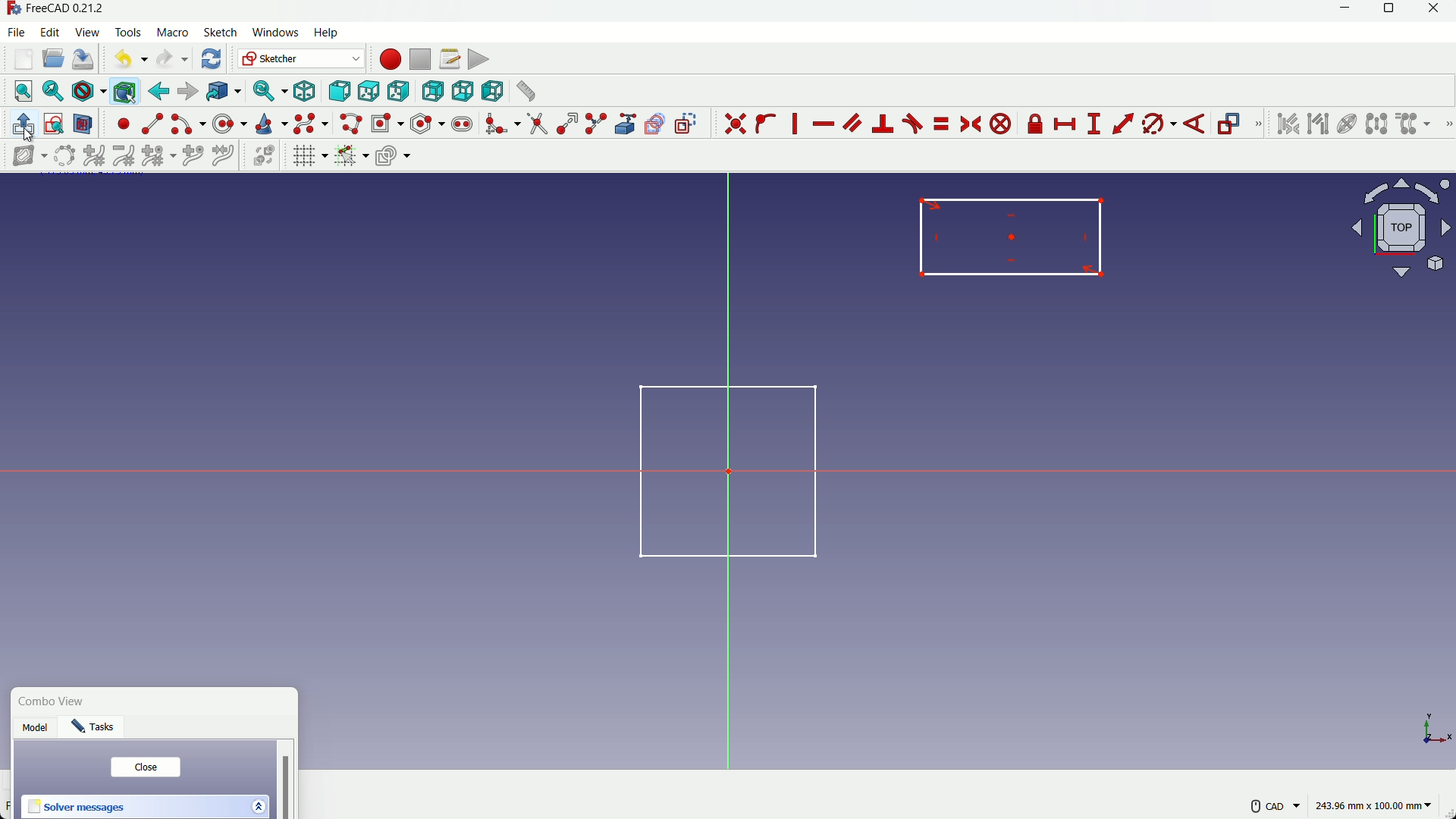 The image size is (1456, 819). Describe the element at coordinates (1003, 124) in the screenshot. I see `constraint block` at that location.